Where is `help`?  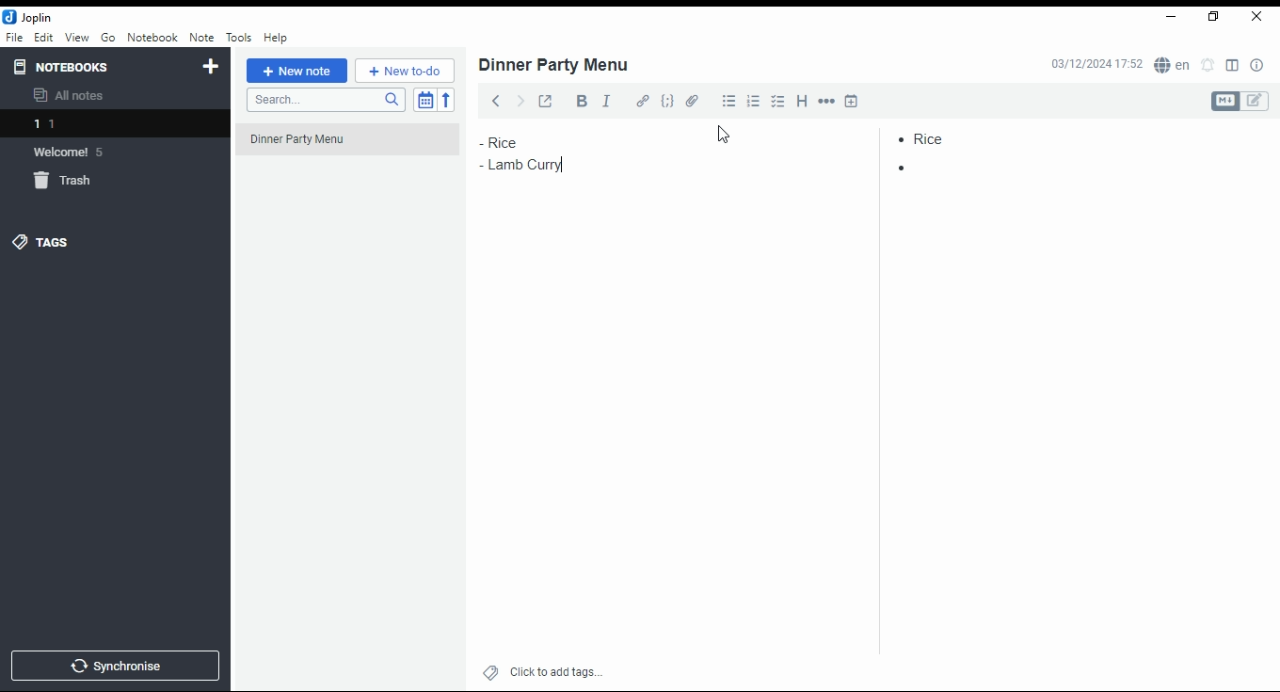
help is located at coordinates (276, 38).